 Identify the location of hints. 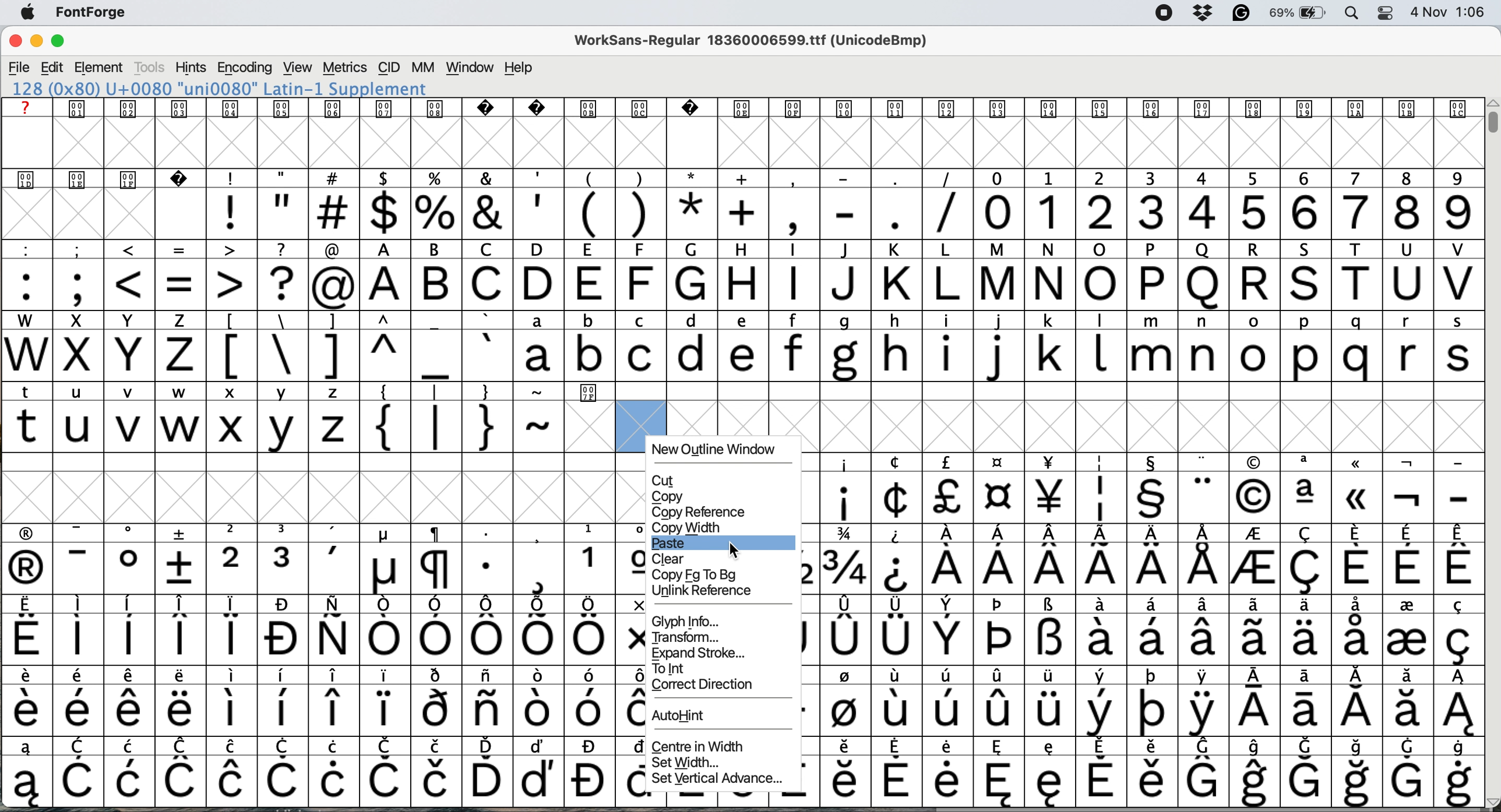
(191, 69).